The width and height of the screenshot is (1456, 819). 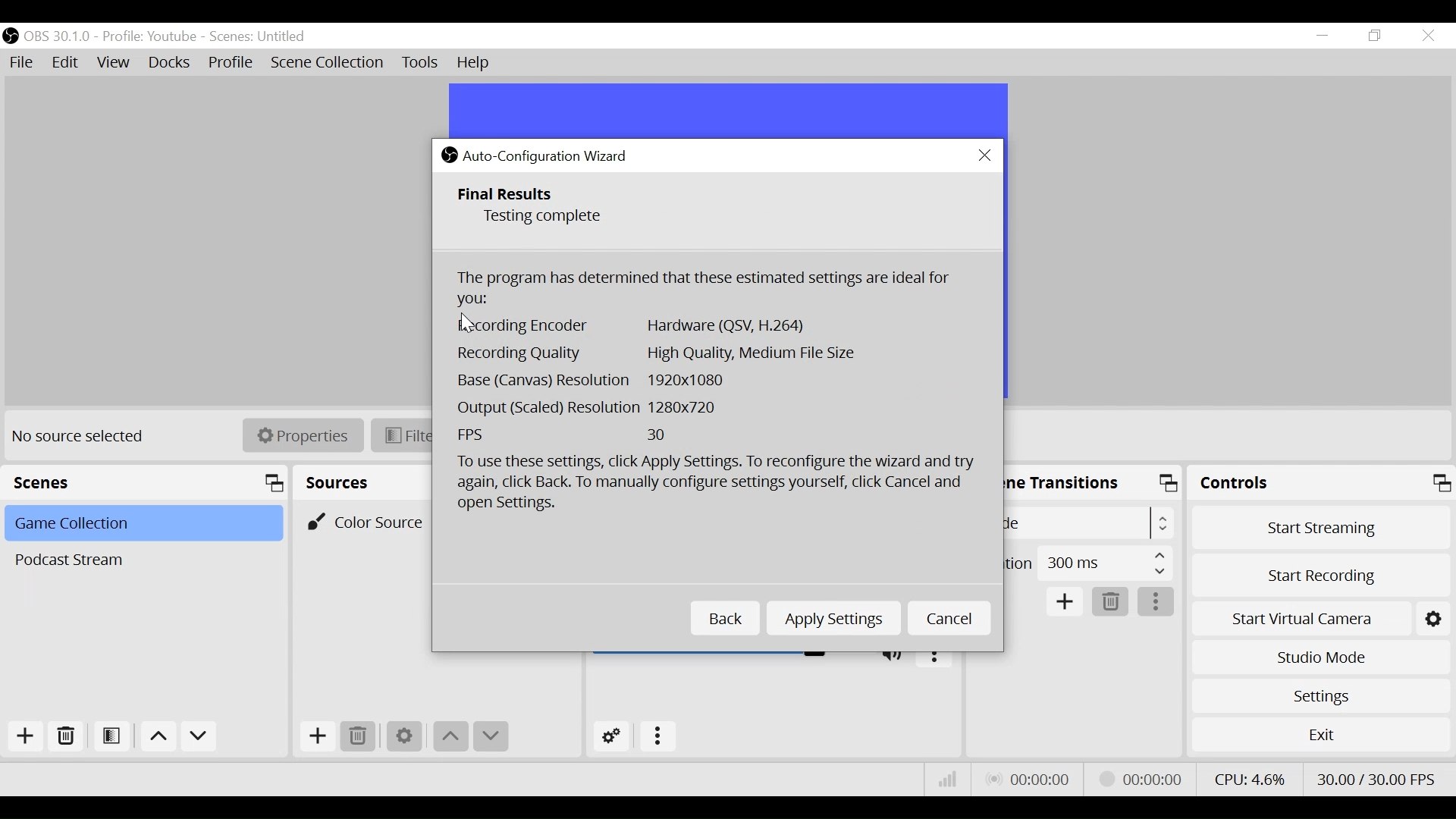 What do you see at coordinates (1030, 779) in the screenshot?
I see `Live Status` at bounding box center [1030, 779].